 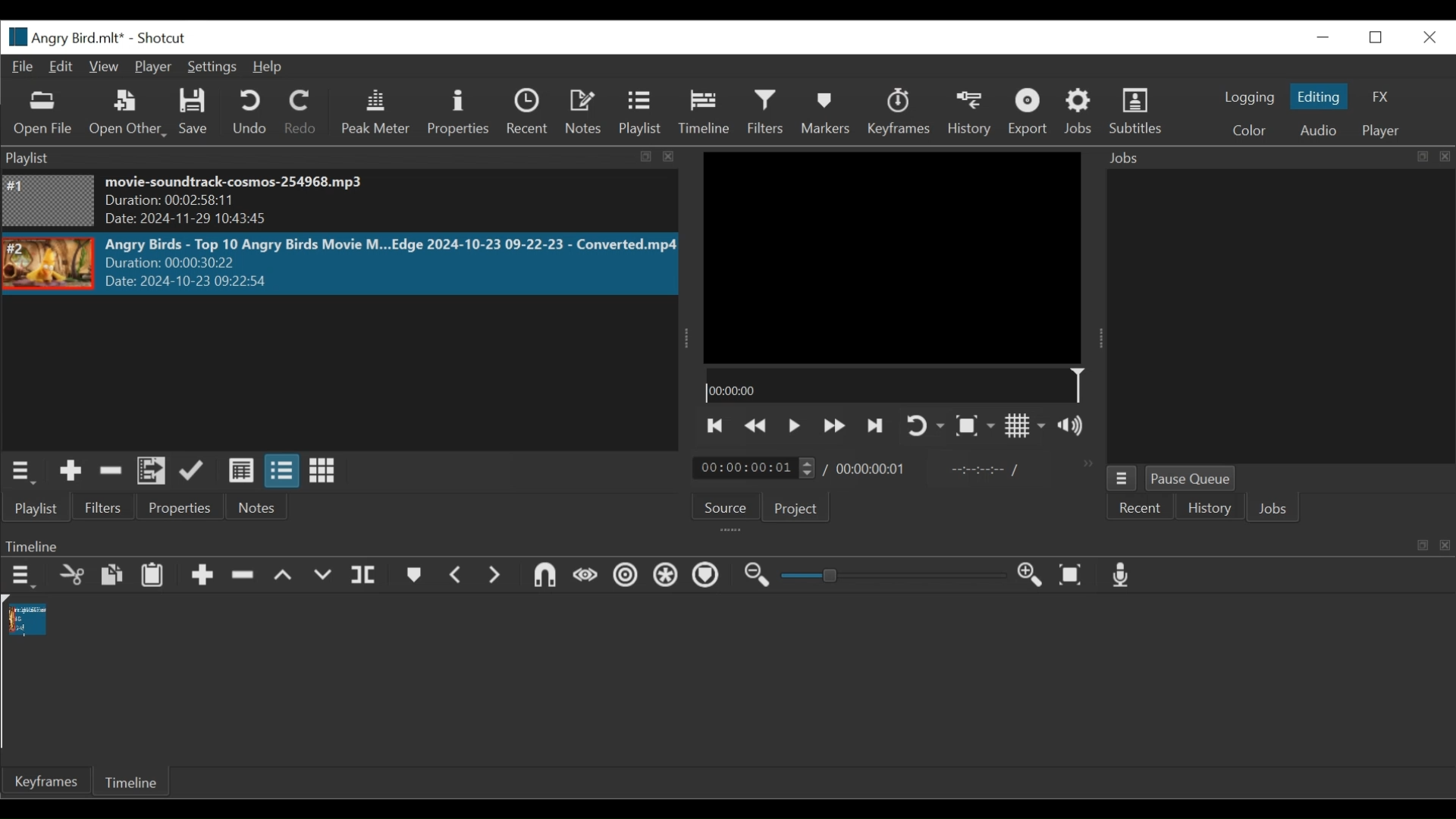 What do you see at coordinates (153, 575) in the screenshot?
I see `Paste` at bounding box center [153, 575].